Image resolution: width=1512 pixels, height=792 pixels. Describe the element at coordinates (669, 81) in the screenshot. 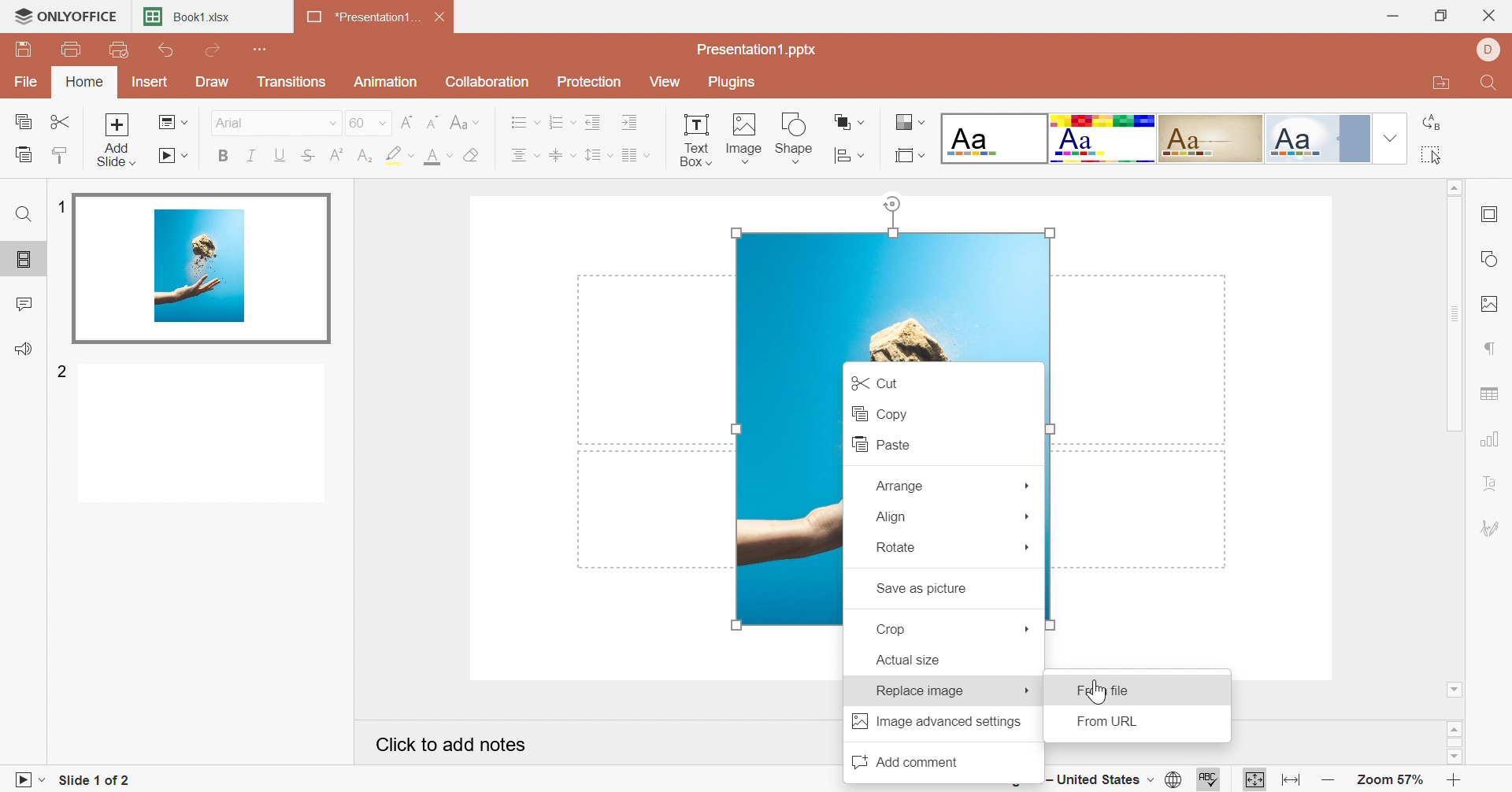

I see `View` at that location.